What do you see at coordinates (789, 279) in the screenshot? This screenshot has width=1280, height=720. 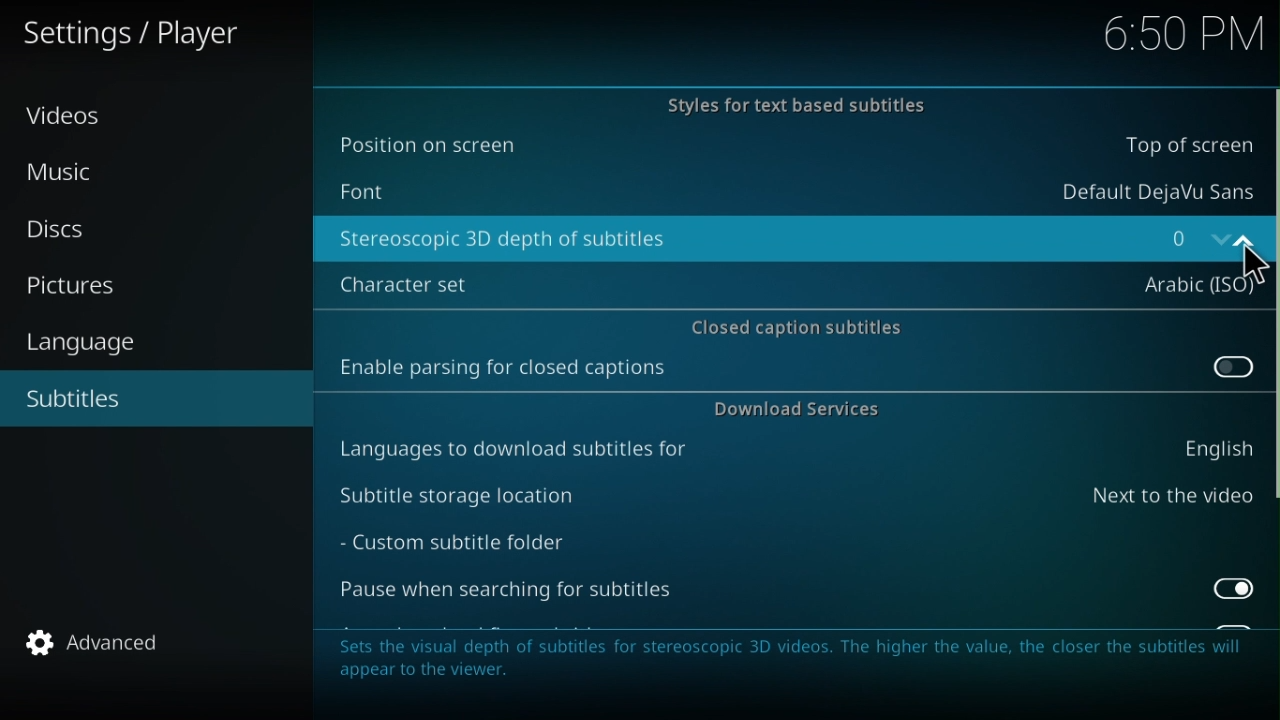 I see `Character set` at bounding box center [789, 279].